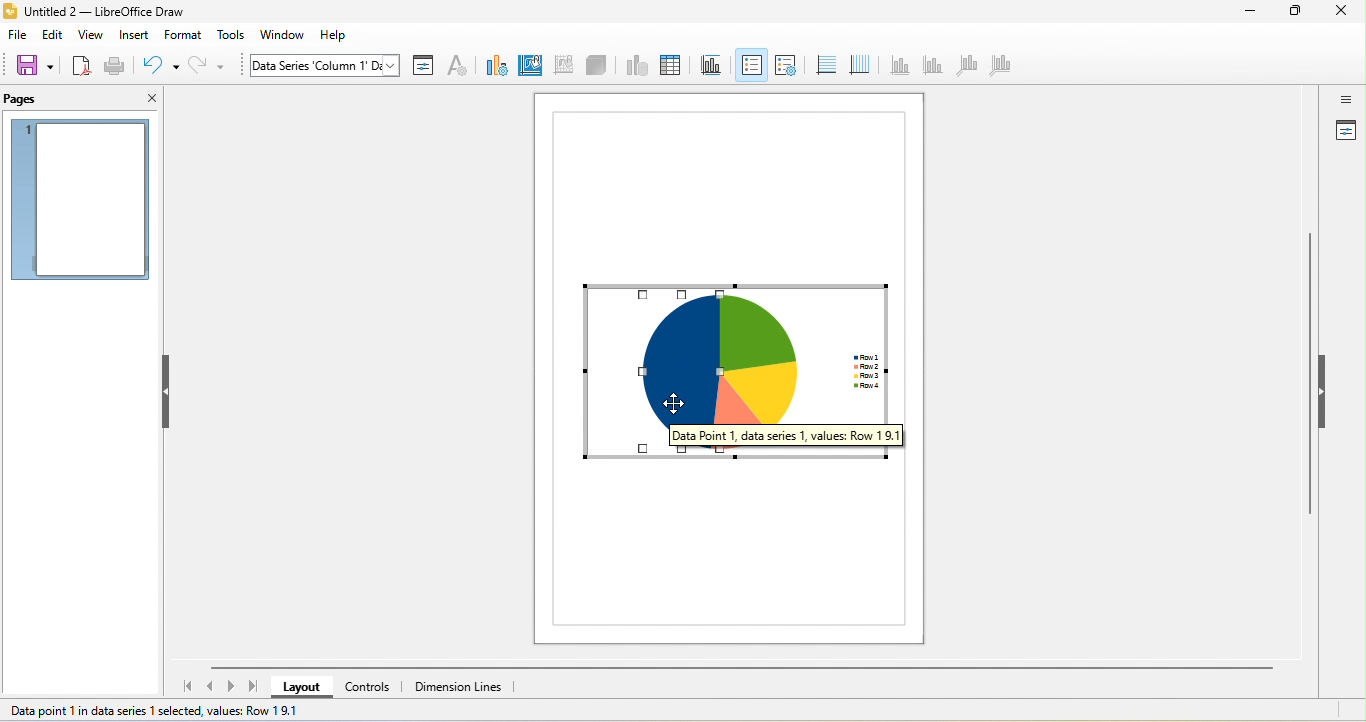 The height and width of the screenshot is (722, 1366). What do you see at coordinates (91, 36) in the screenshot?
I see `view` at bounding box center [91, 36].